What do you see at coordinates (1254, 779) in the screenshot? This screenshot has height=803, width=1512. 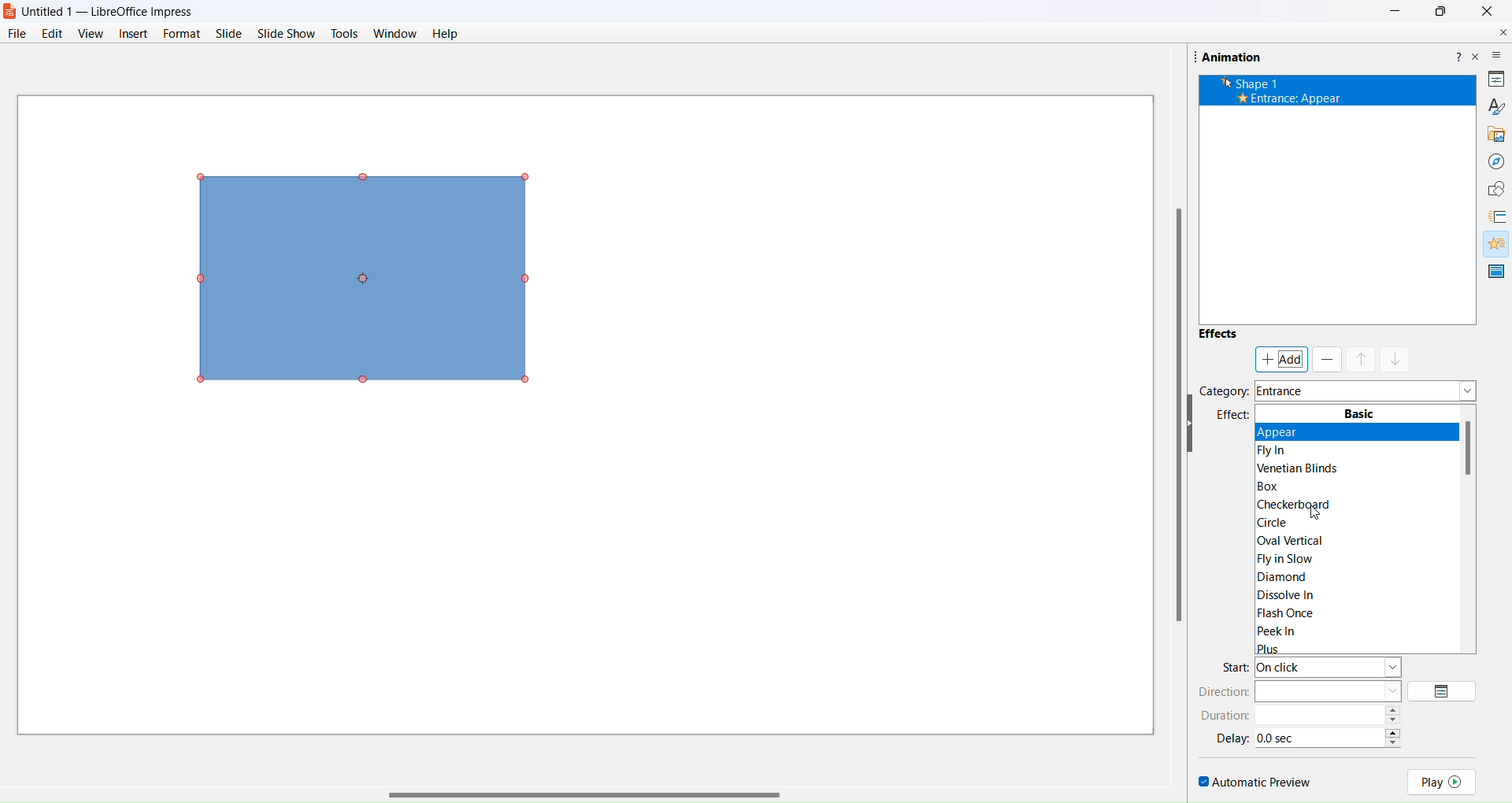 I see `automatic preview` at bounding box center [1254, 779].